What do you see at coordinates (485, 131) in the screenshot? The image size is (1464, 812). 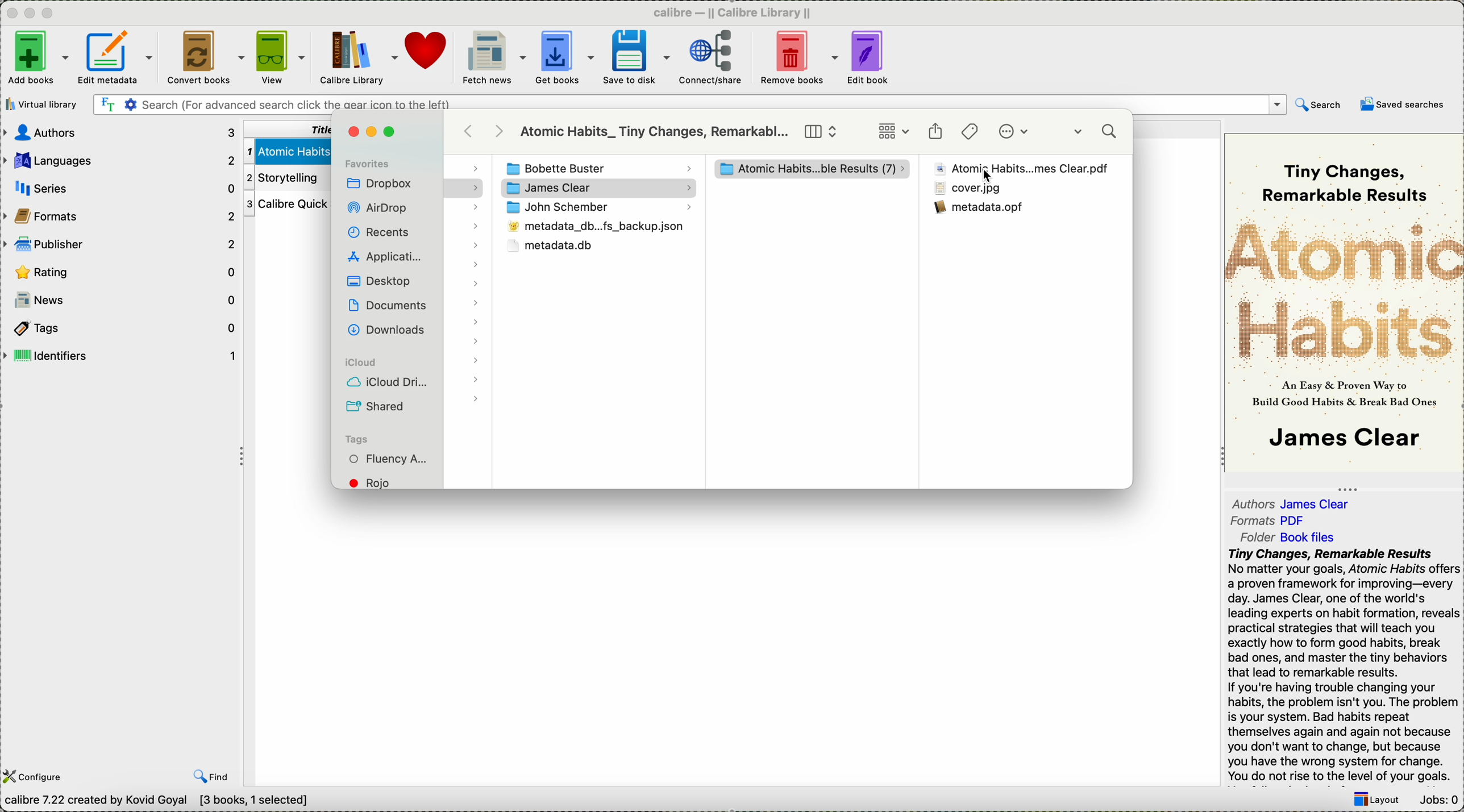 I see `navigate arrows` at bounding box center [485, 131].